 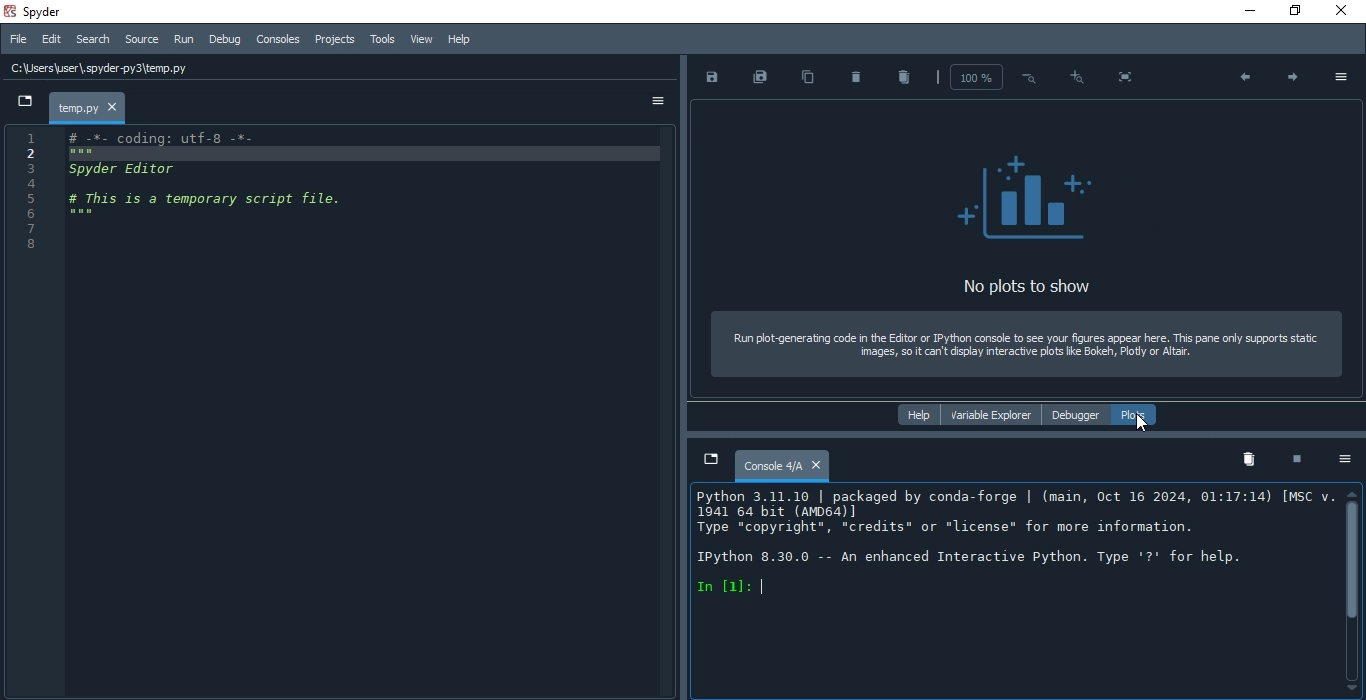 What do you see at coordinates (139, 39) in the screenshot?
I see `Source` at bounding box center [139, 39].